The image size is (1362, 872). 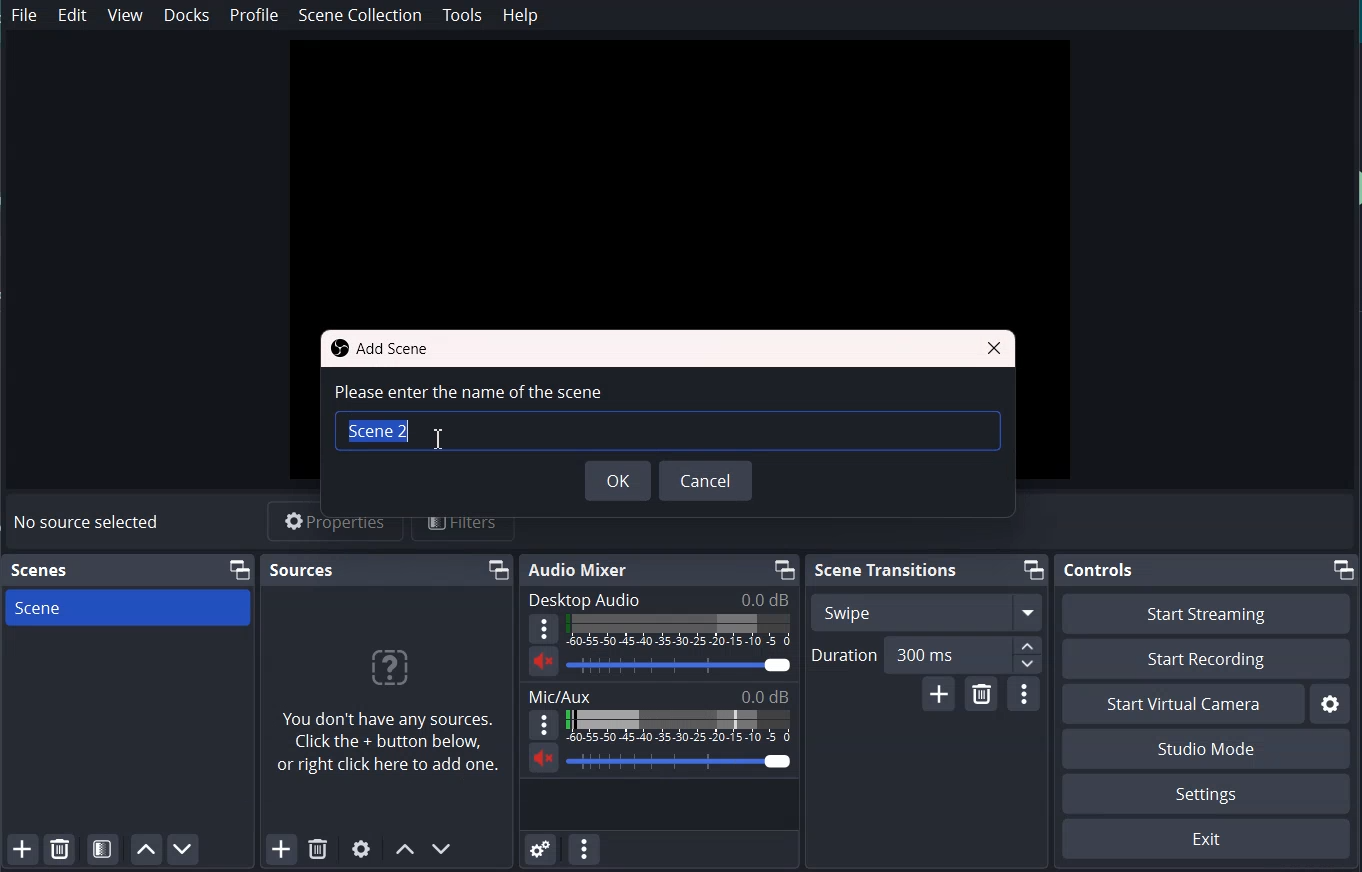 I want to click on File preview window, so click(x=679, y=174).